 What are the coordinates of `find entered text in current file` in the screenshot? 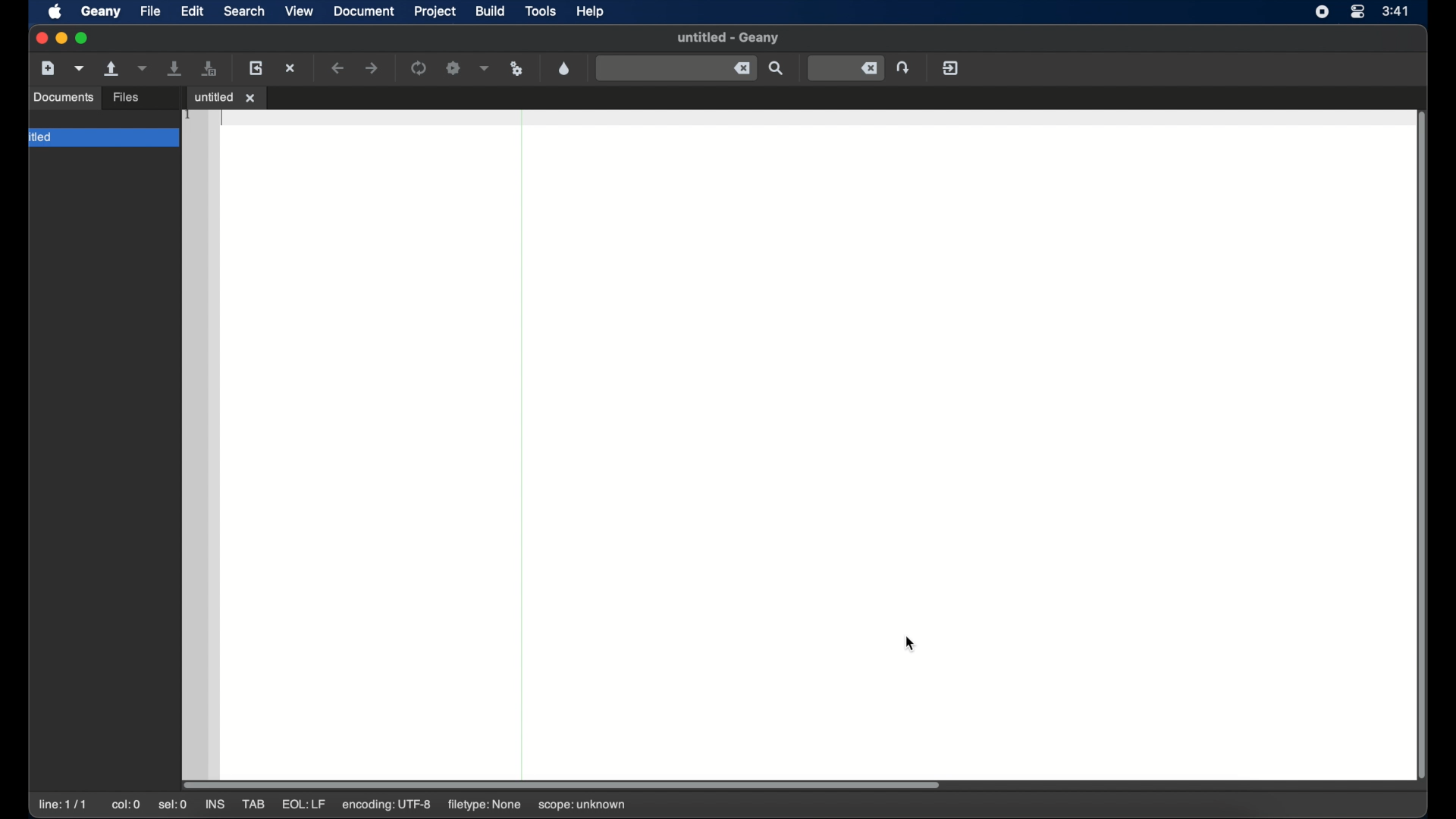 It's located at (676, 69).